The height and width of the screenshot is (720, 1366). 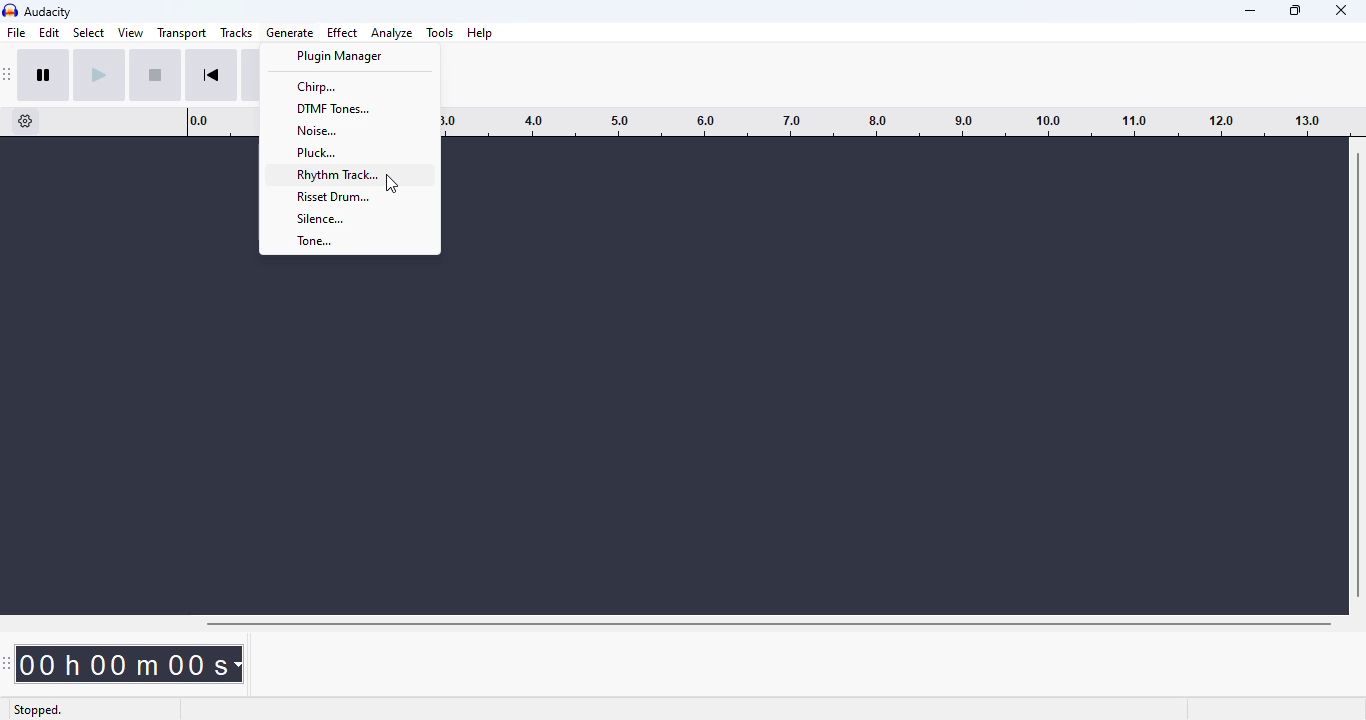 I want to click on tools, so click(x=439, y=33).